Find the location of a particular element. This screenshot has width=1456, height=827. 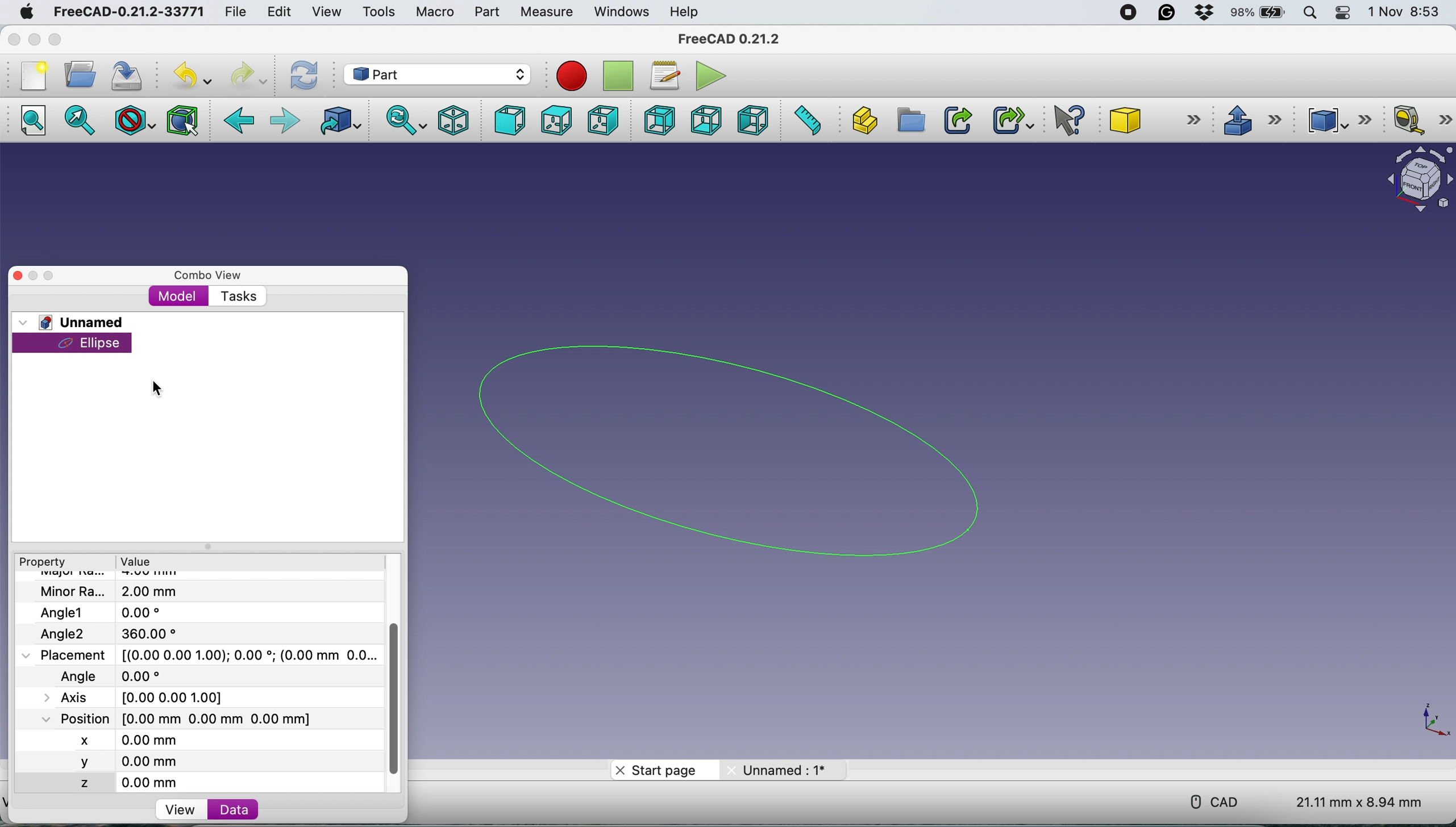

minimise is located at coordinates (32, 40).